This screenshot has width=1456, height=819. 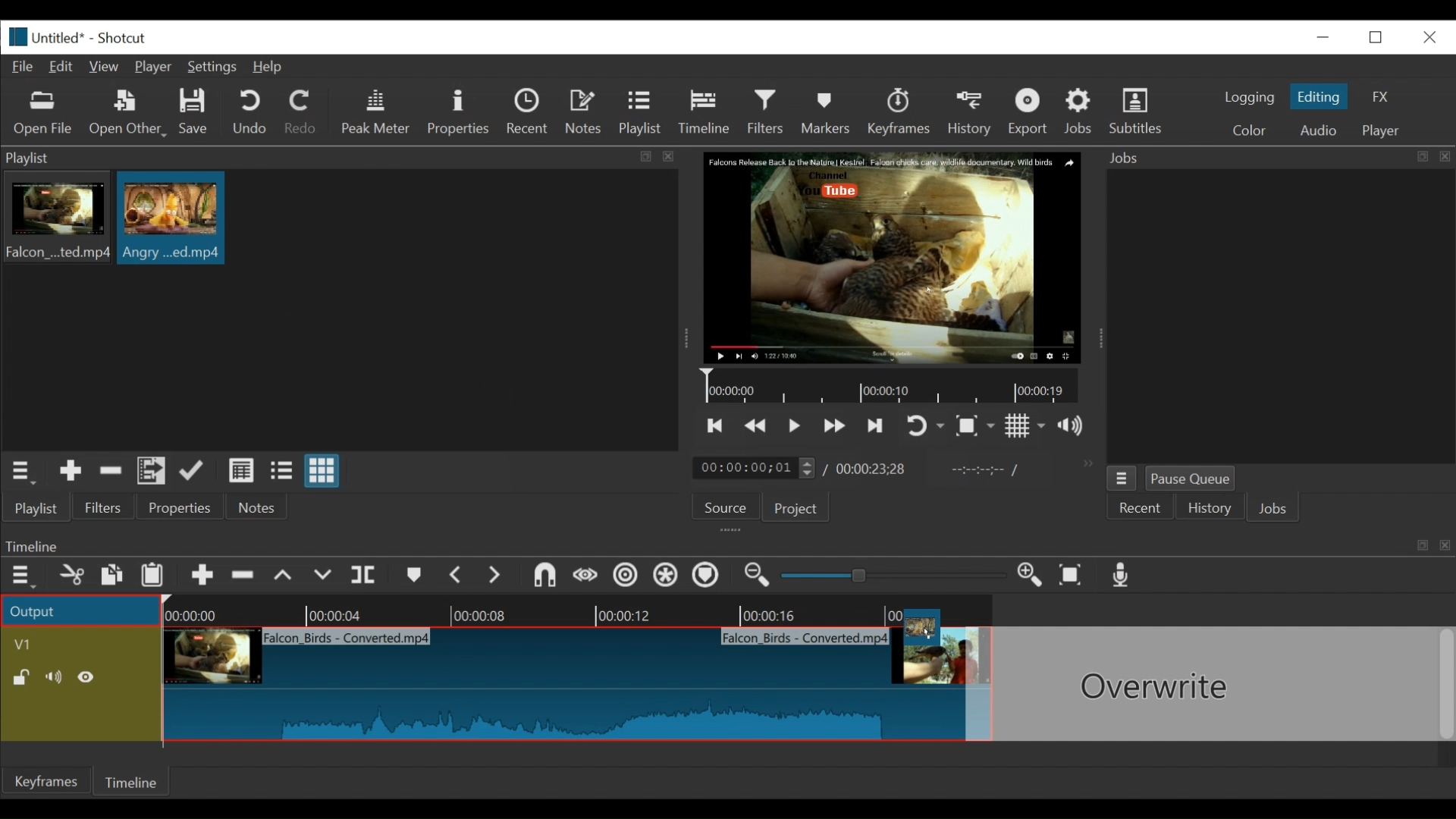 What do you see at coordinates (1122, 476) in the screenshot?
I see `jobs menu` at bounding box center [1122, 476].